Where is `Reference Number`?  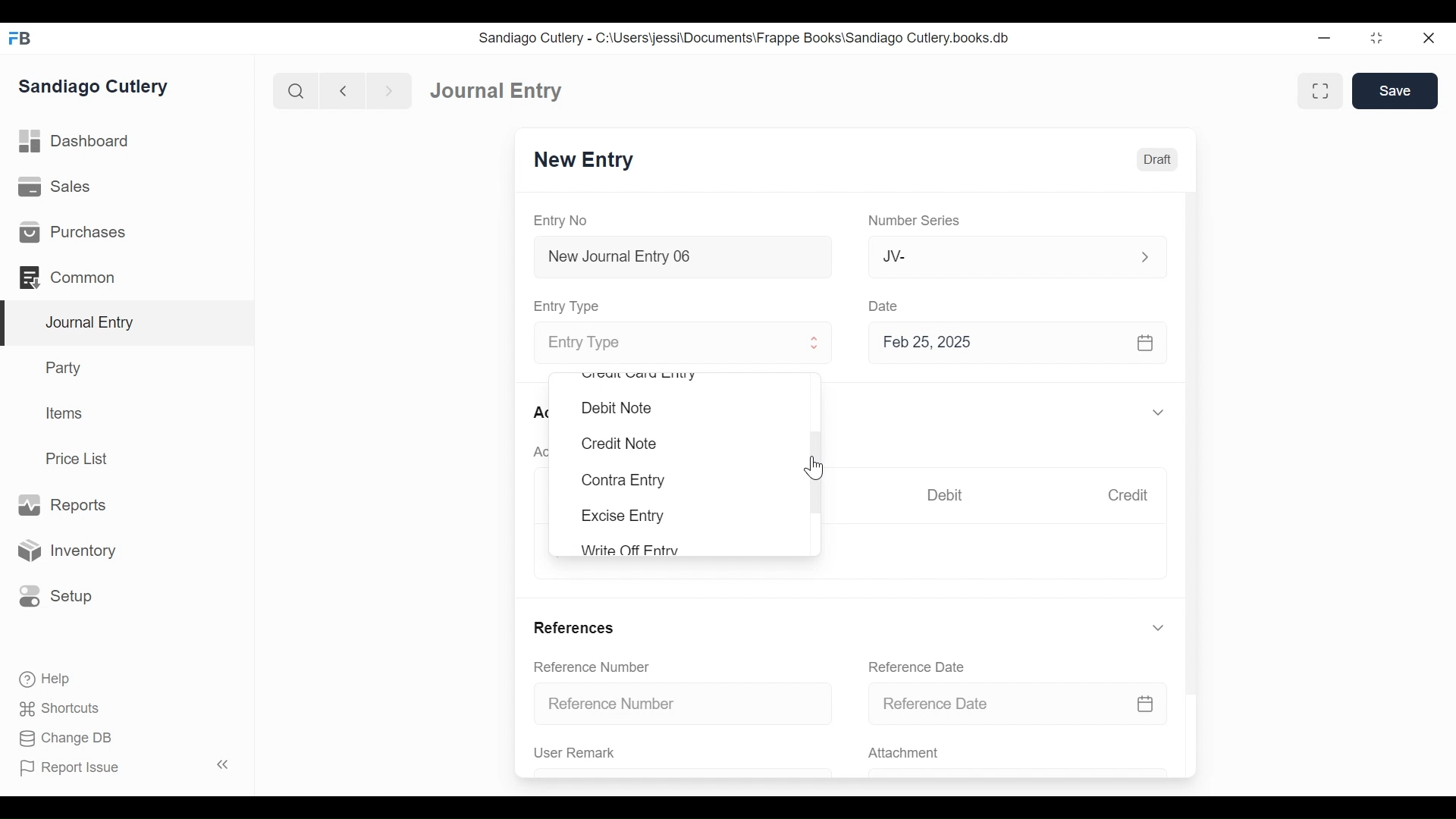 Reference Number is located at coordinates (591, 666).